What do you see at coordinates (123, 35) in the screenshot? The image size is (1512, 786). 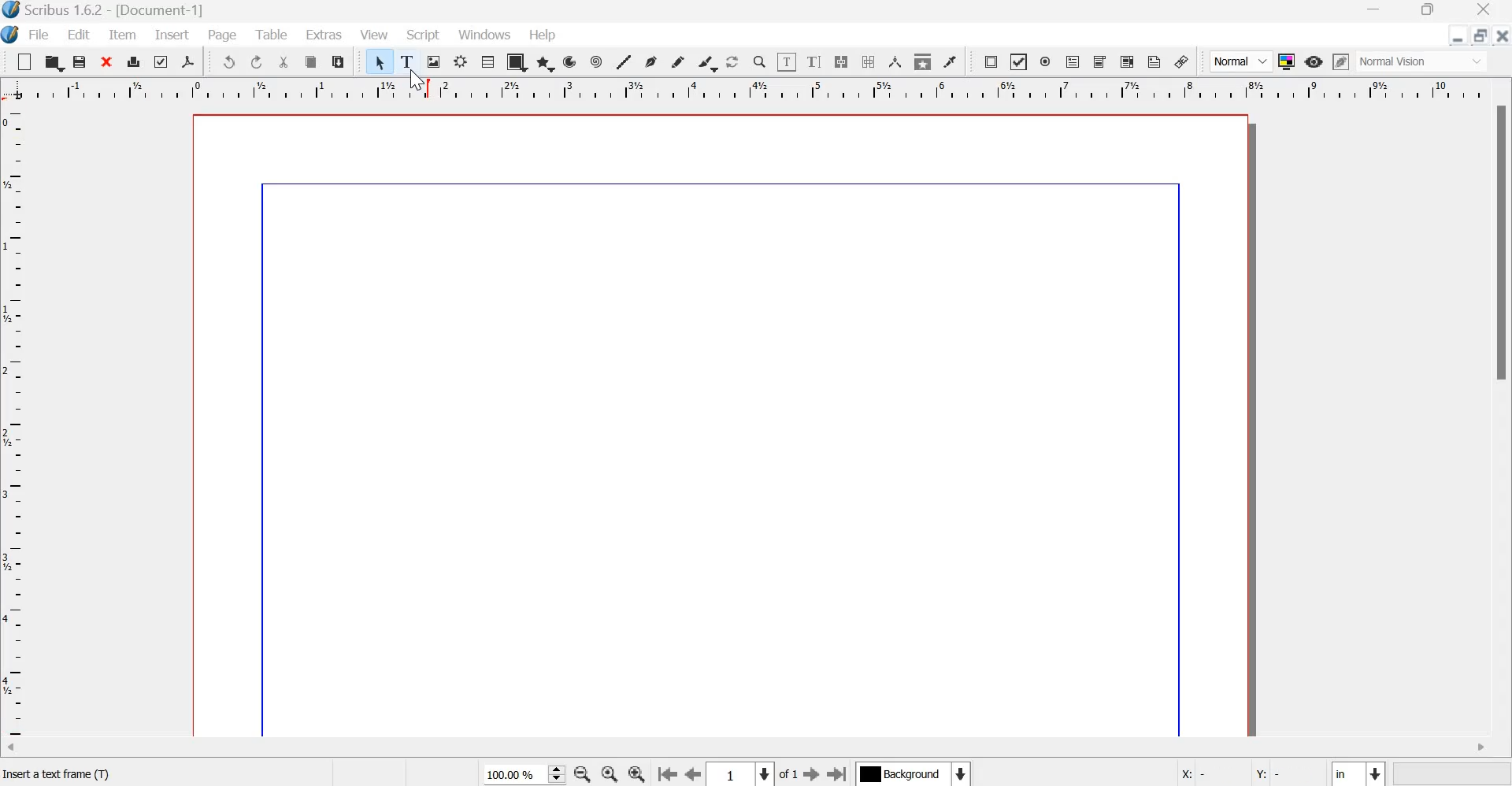 I see `Item` at bounding box center [123, 35].